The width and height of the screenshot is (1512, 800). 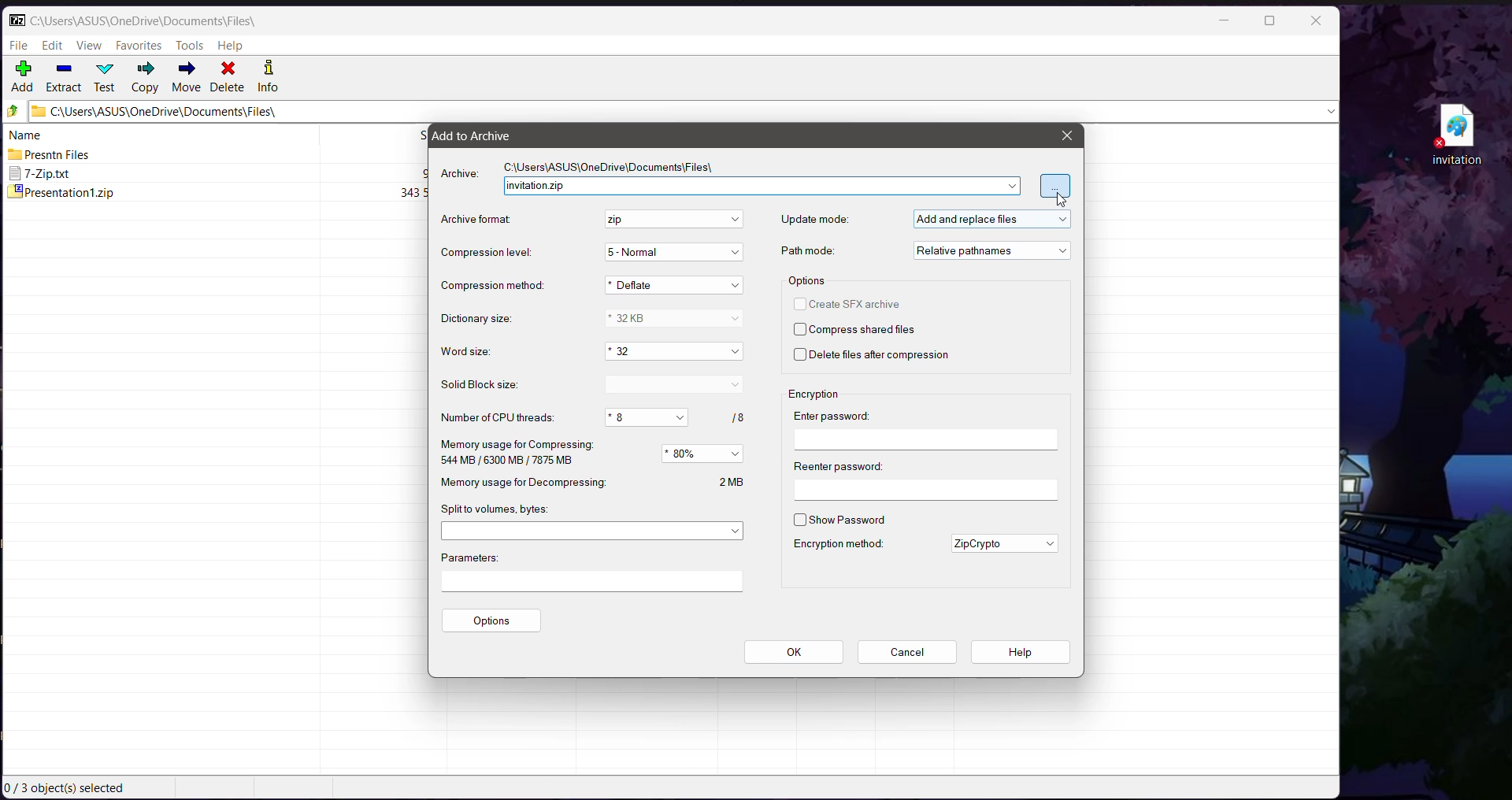 What do you see at coordinates (139, 46) in the screenshot?
I see `Favorites` at bounding box center [139, 46].